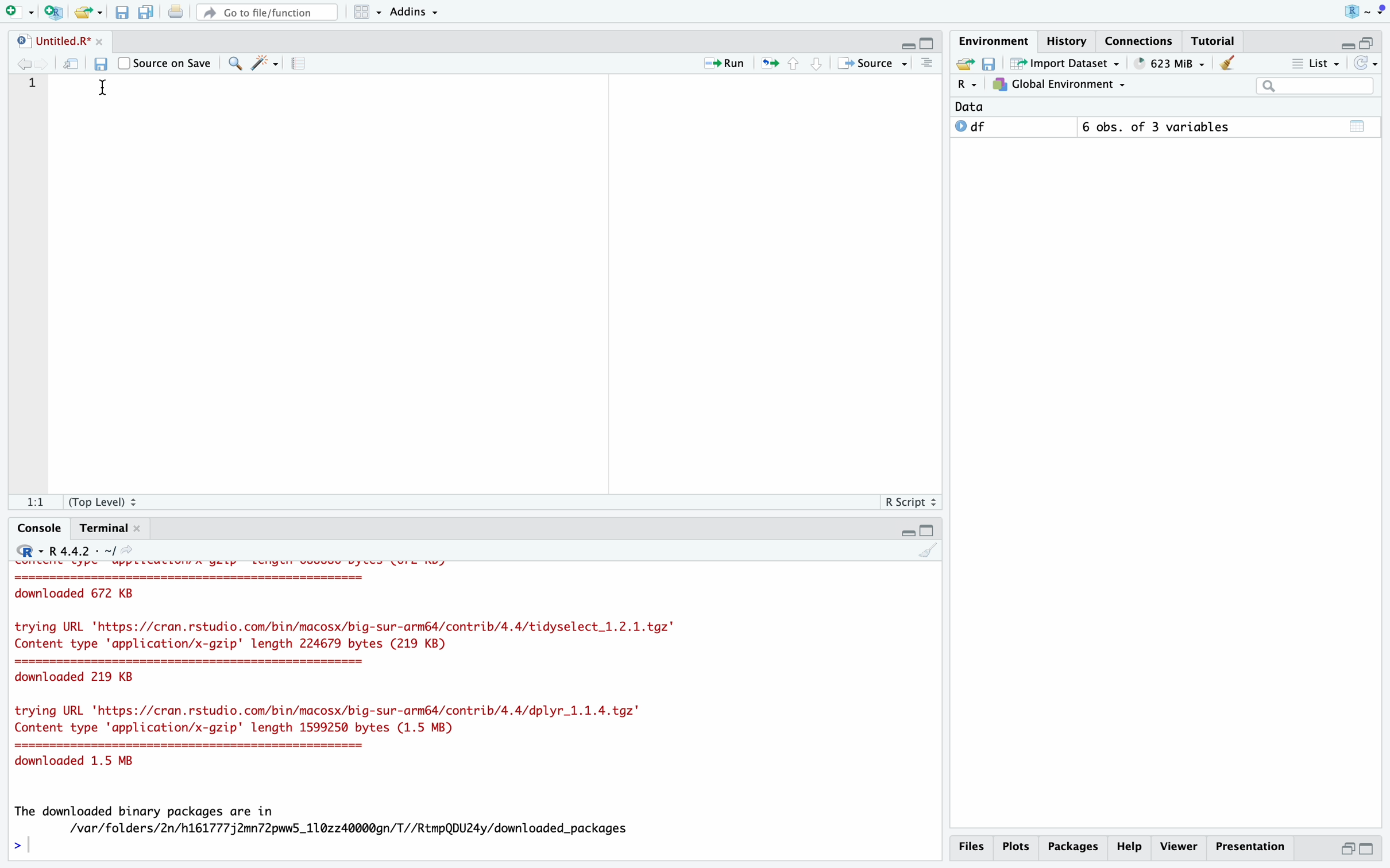 The height and width of the screenshot is (868, 1390). I want to click on Terminal, so click(110, 529).